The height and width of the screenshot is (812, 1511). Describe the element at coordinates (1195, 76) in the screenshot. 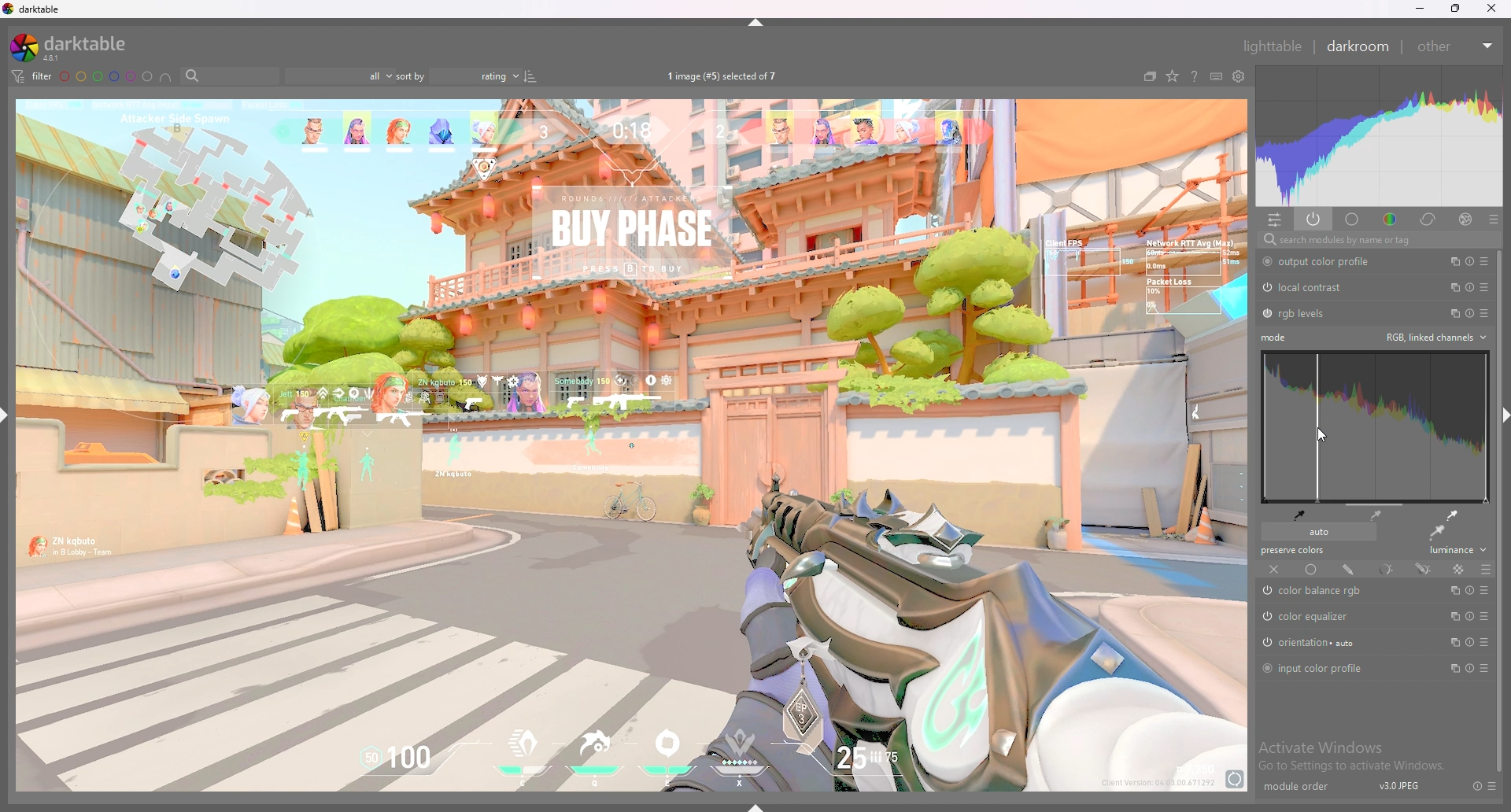

I see `help` at that location.